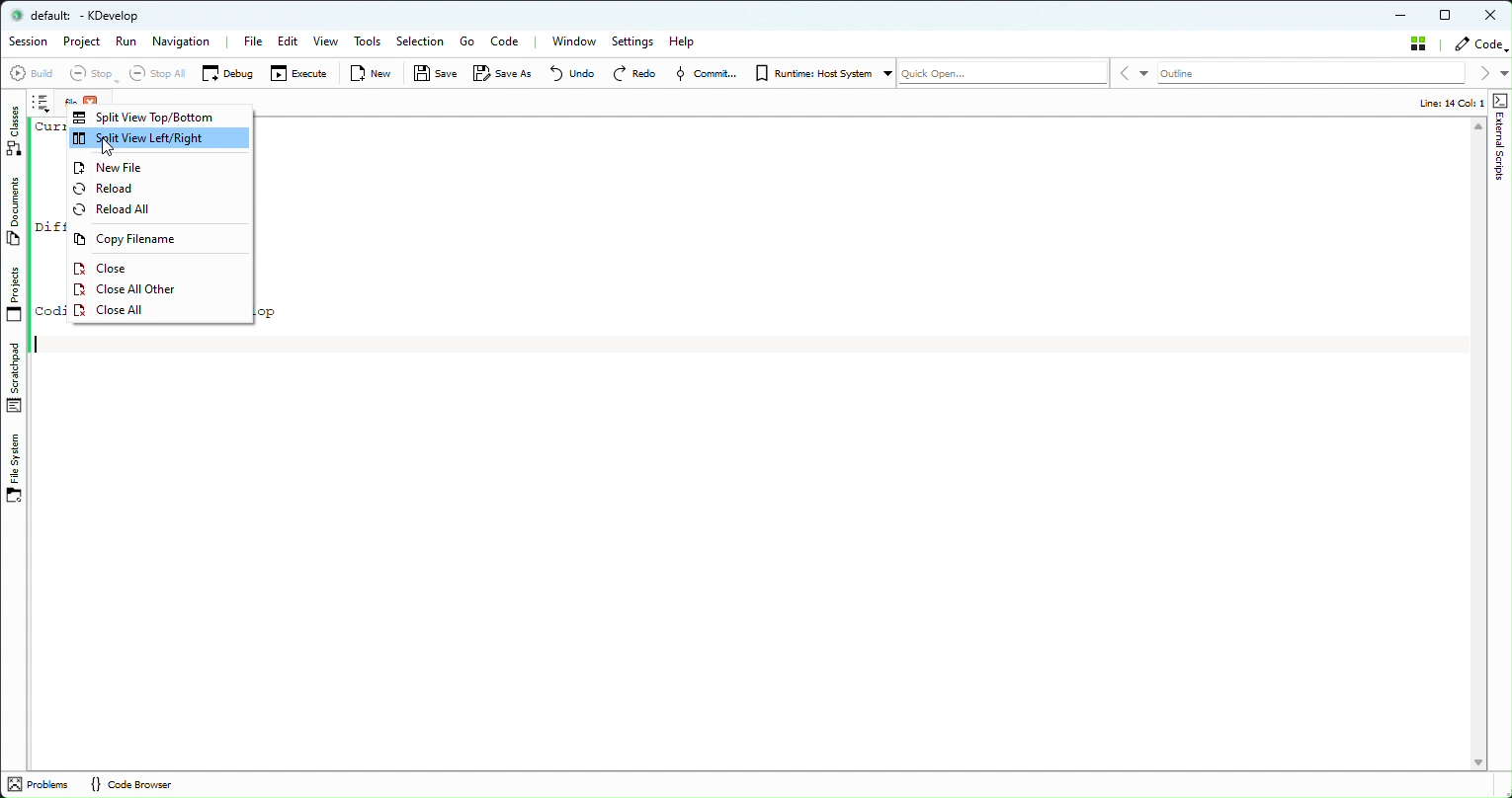 The image size is (1512, 798). Describe the element at coordinates (570, 41) in the screenshot. I see `Window` at that location.